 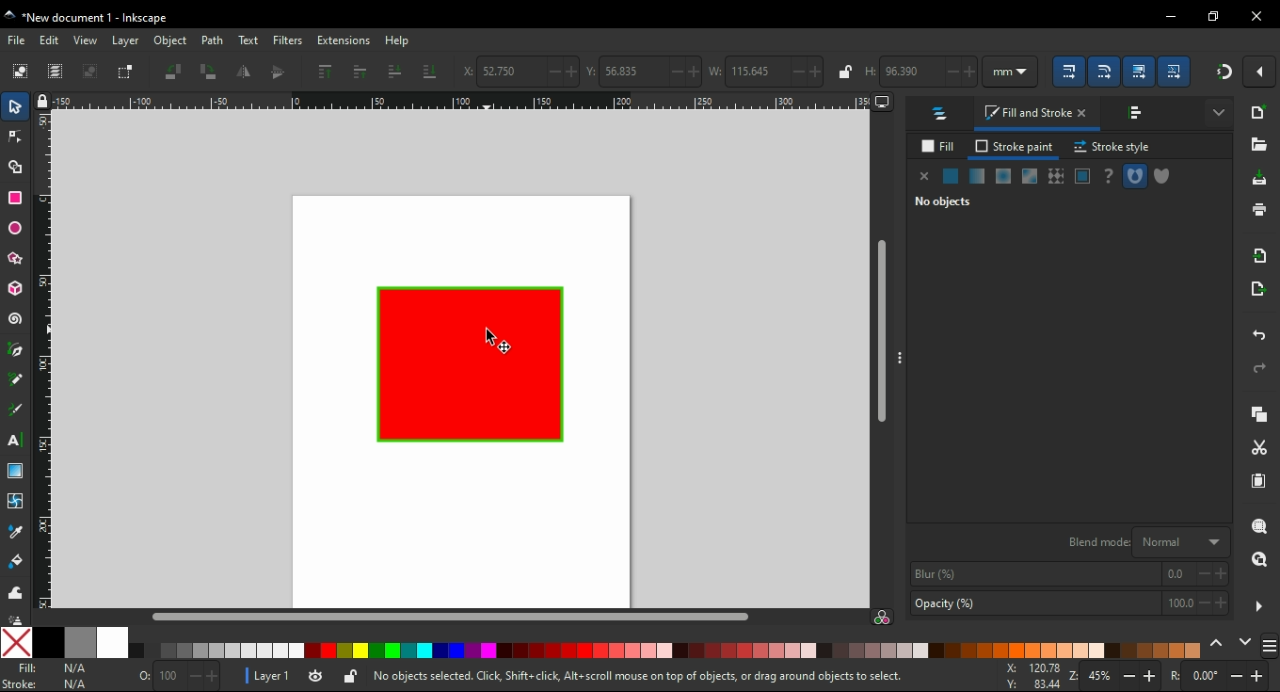 I want to click on x, so click(x=1032, y=676).